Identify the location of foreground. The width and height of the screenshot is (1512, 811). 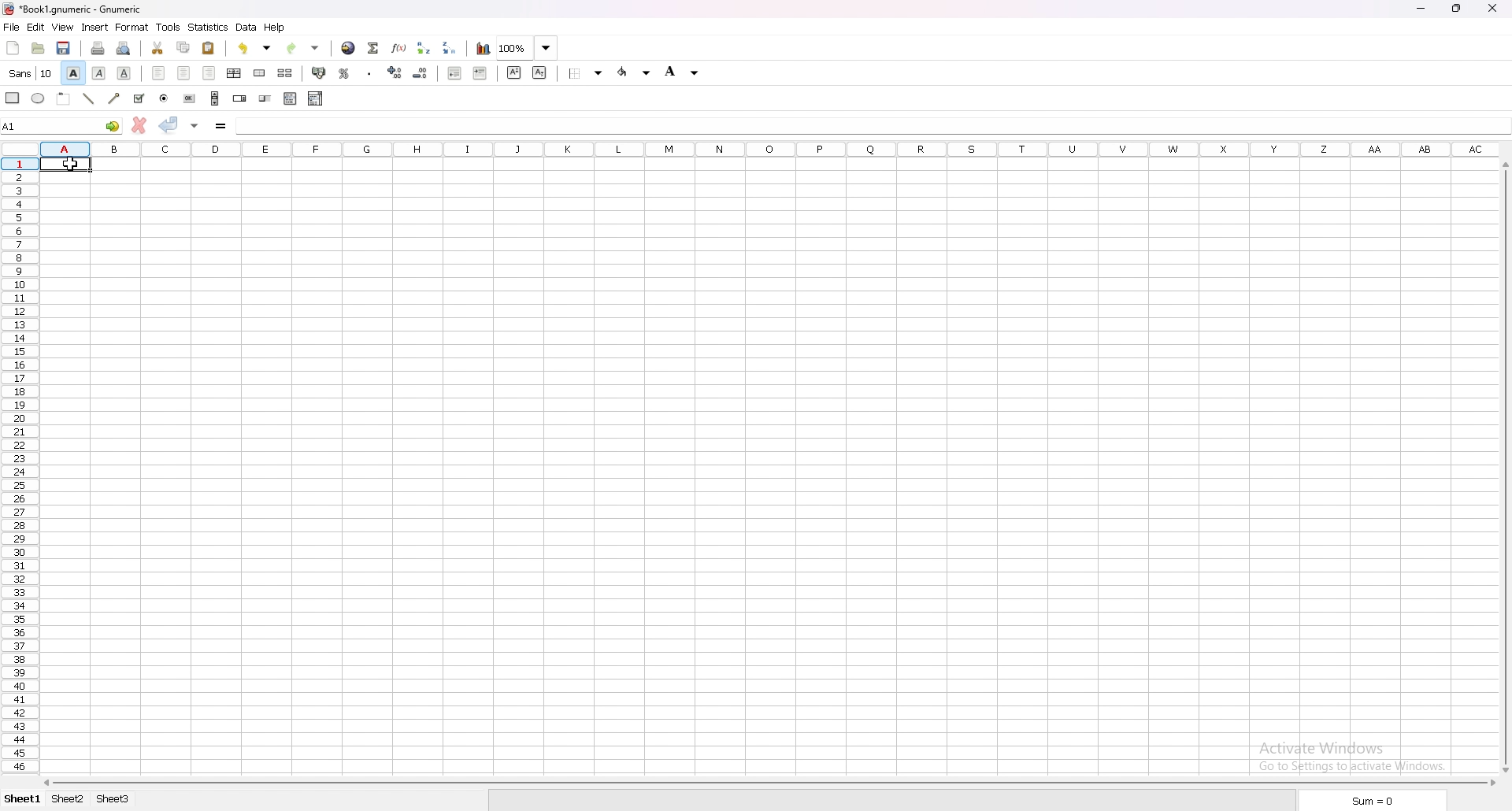
(636, 72).